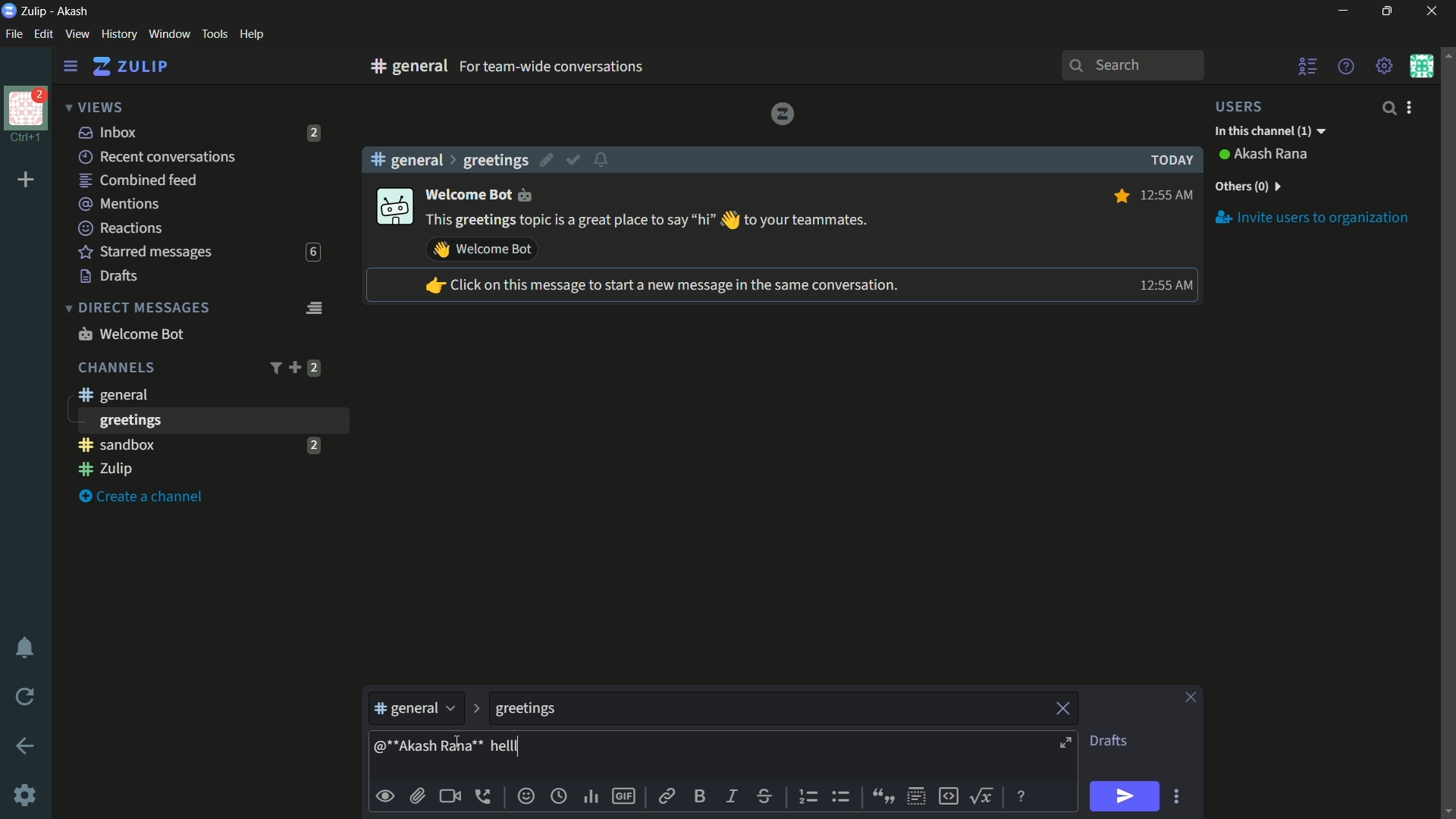 The height and width of the screenshot is (819, 1456). What do you see at coordinates (312, 253) in the screenshot?
I see `6 unread messages` at bounding box center [312, 253].